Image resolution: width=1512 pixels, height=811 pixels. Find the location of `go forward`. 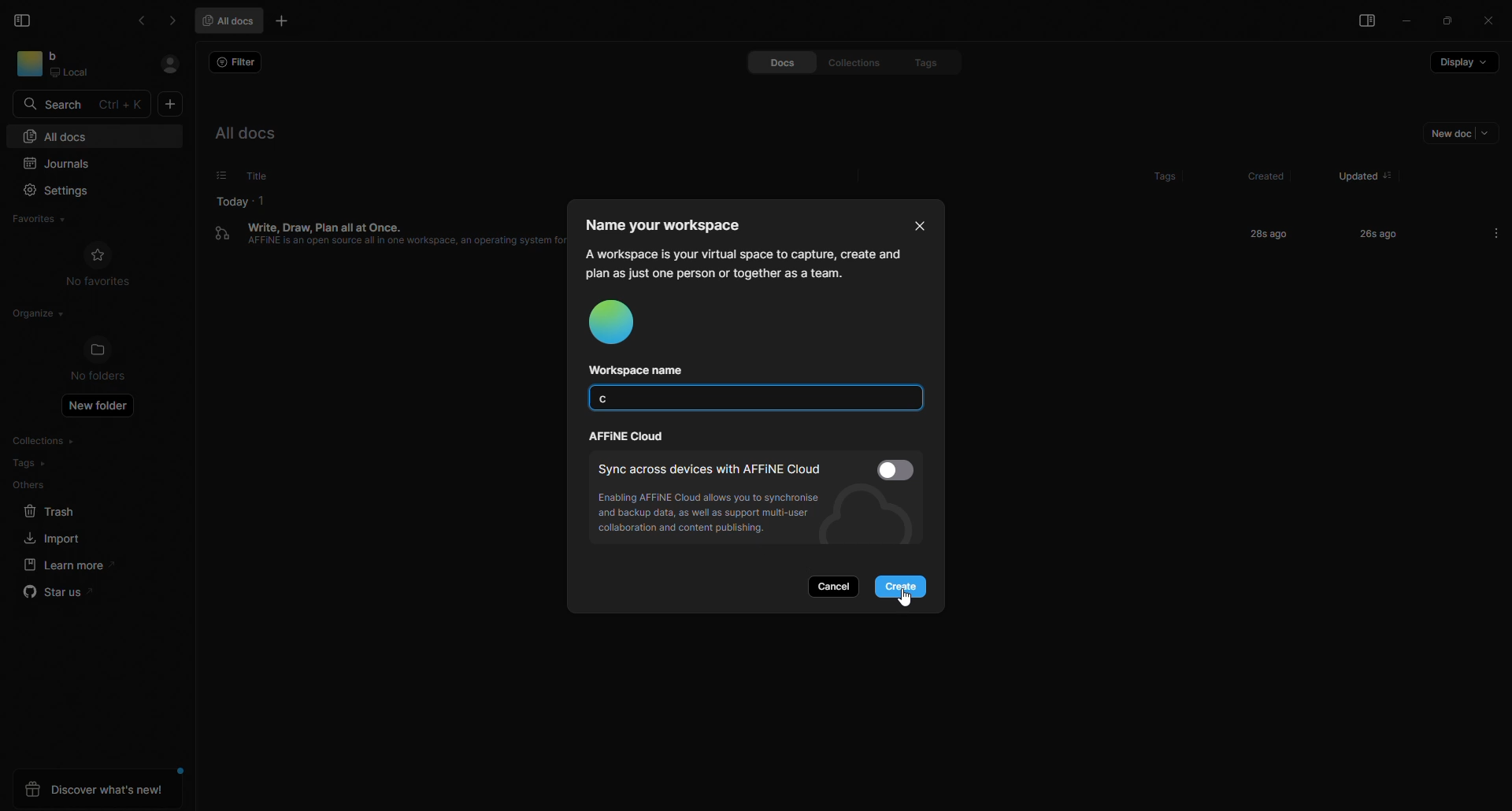

go forward is located at coordinates (172, 20).